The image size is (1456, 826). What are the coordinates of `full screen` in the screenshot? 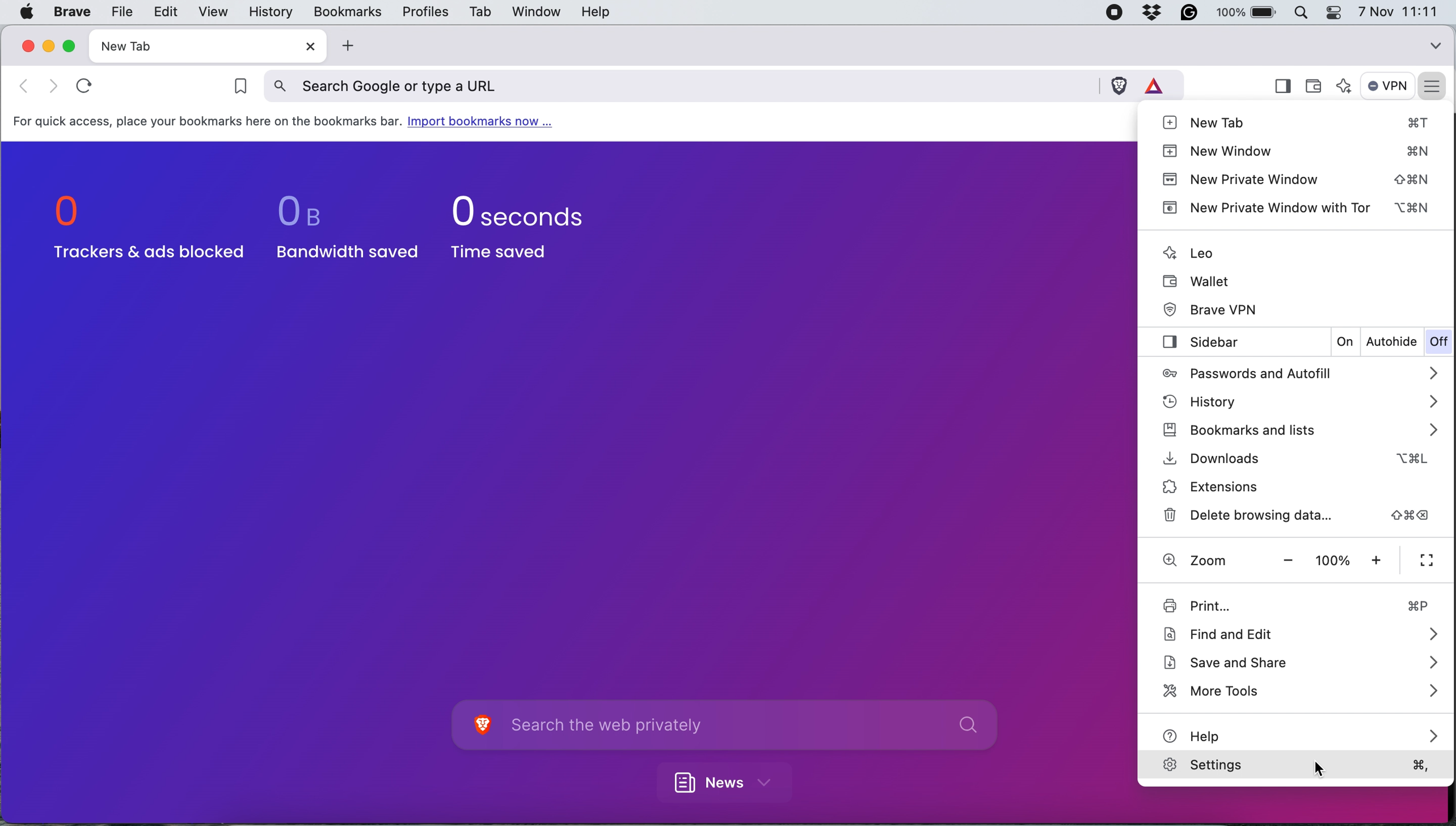 It's located at (1428, 562).